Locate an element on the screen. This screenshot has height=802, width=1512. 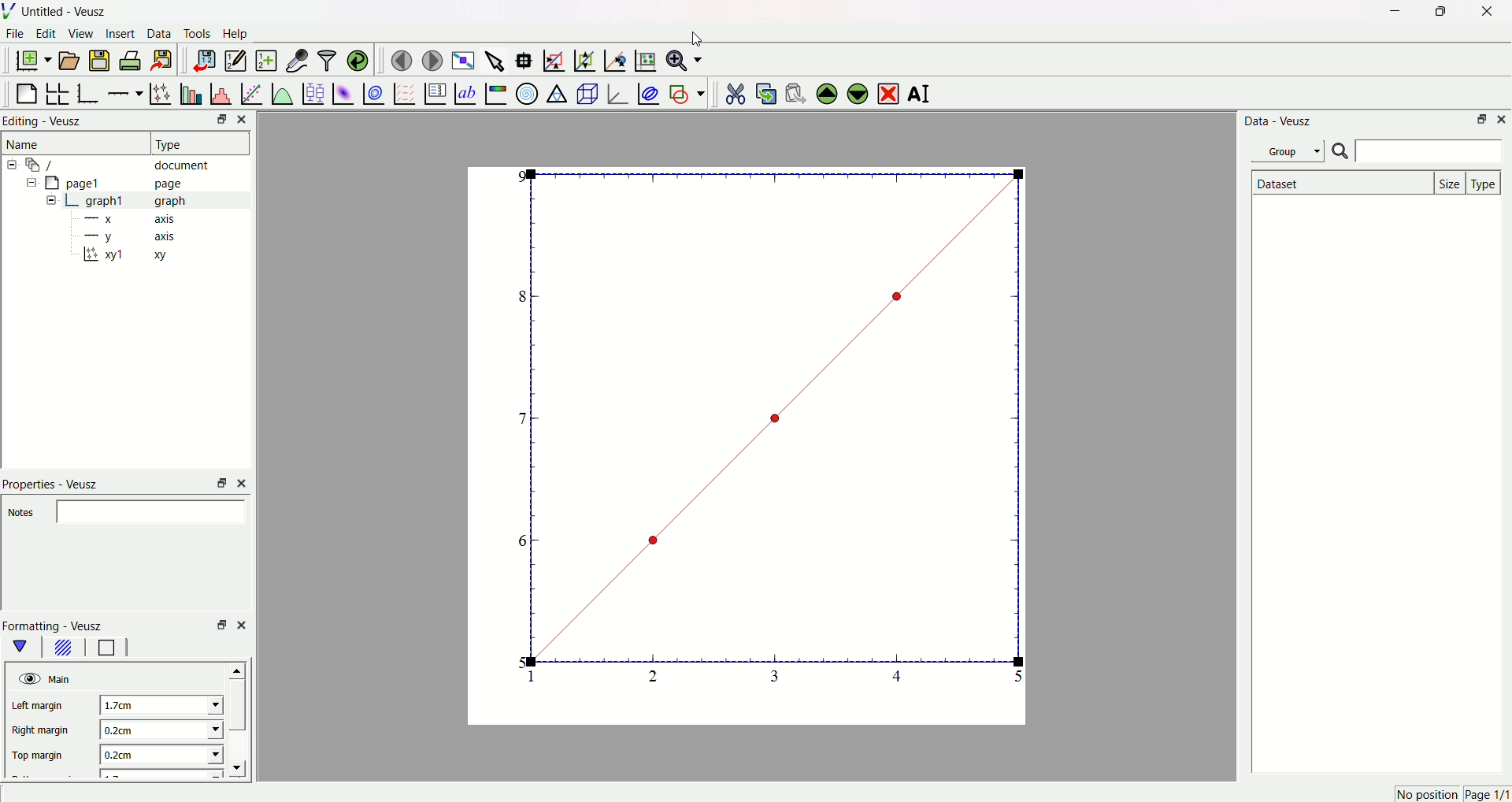
bar chart is located at coordinates (189, 91).